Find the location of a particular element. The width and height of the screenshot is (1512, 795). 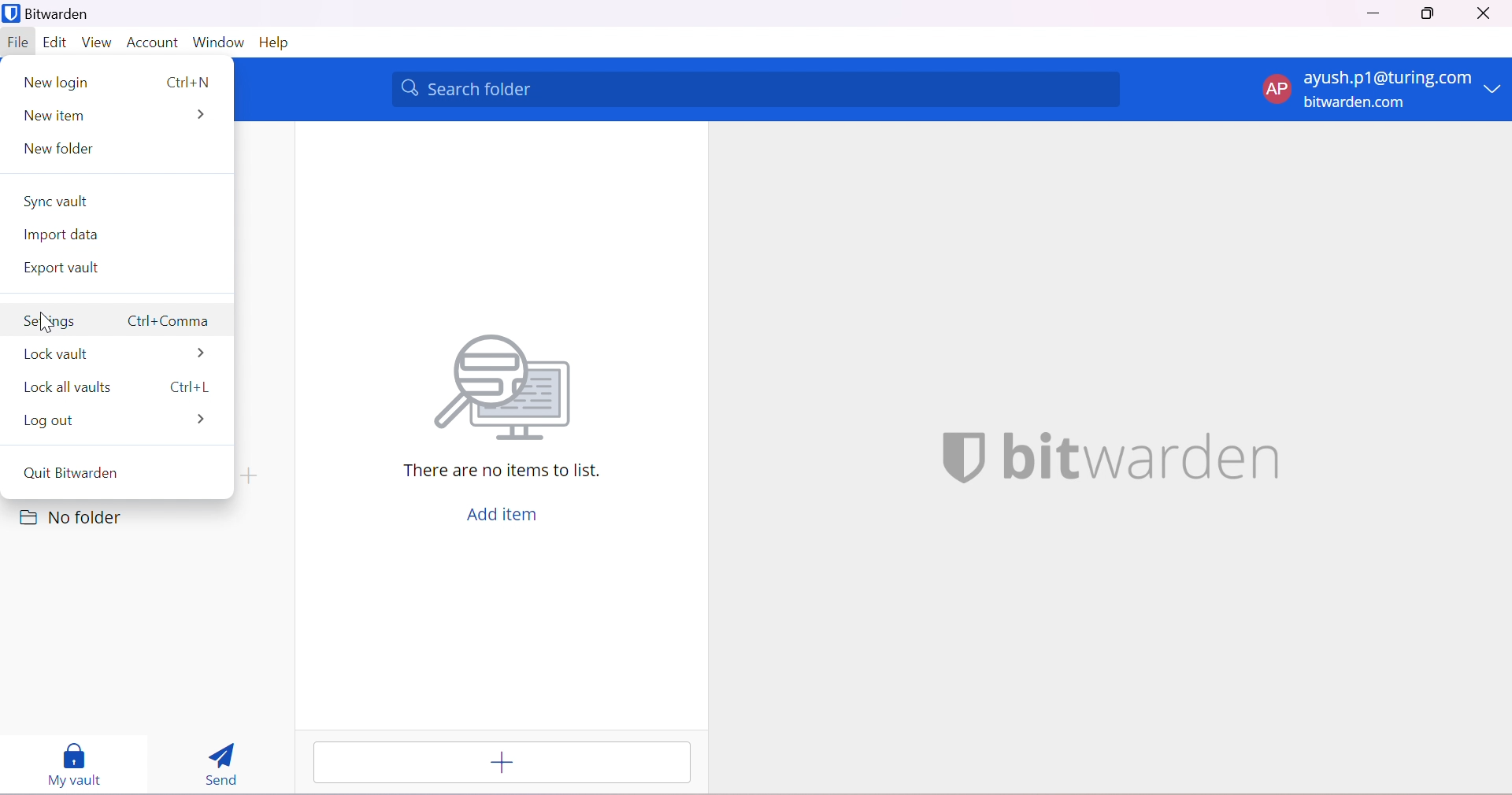

Window is located at coordinates (219, 41).